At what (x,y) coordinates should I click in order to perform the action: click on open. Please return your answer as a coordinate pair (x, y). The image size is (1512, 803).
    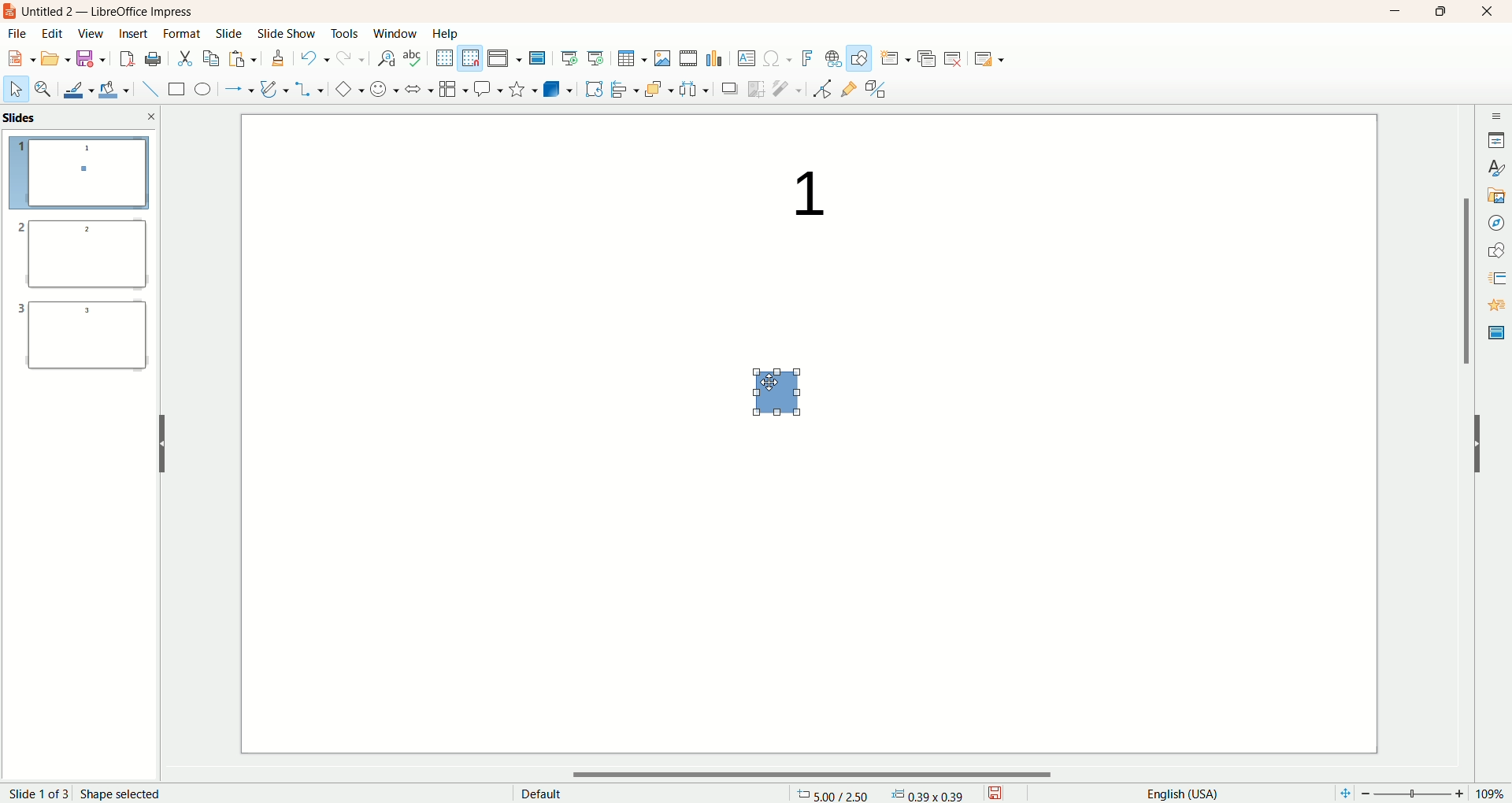
    Looking at the image, I should click on (57, 60).